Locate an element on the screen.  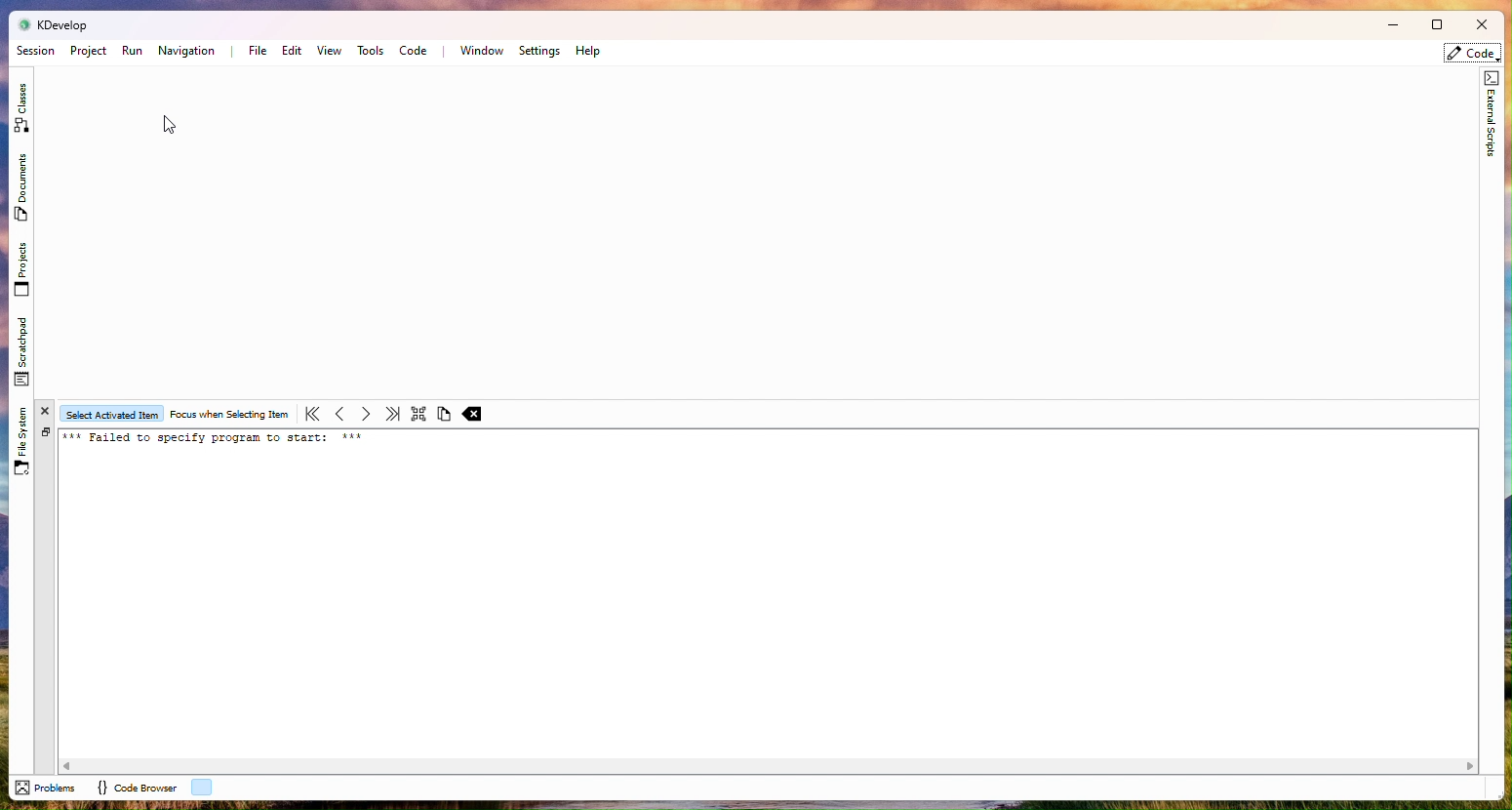
Tools is located at coordinates (371, 51).